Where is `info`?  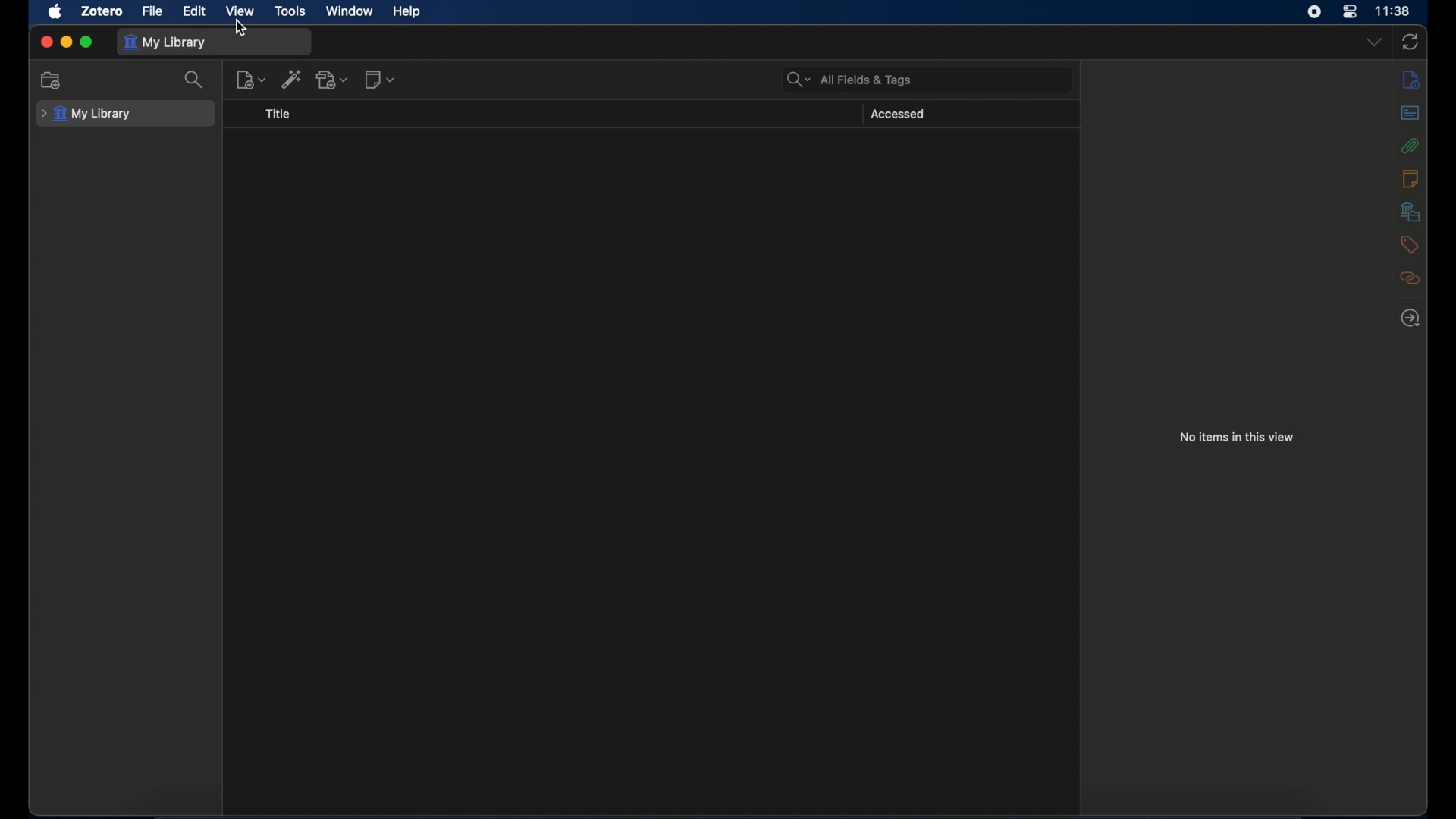 info is located at coordinates (1410, 80).